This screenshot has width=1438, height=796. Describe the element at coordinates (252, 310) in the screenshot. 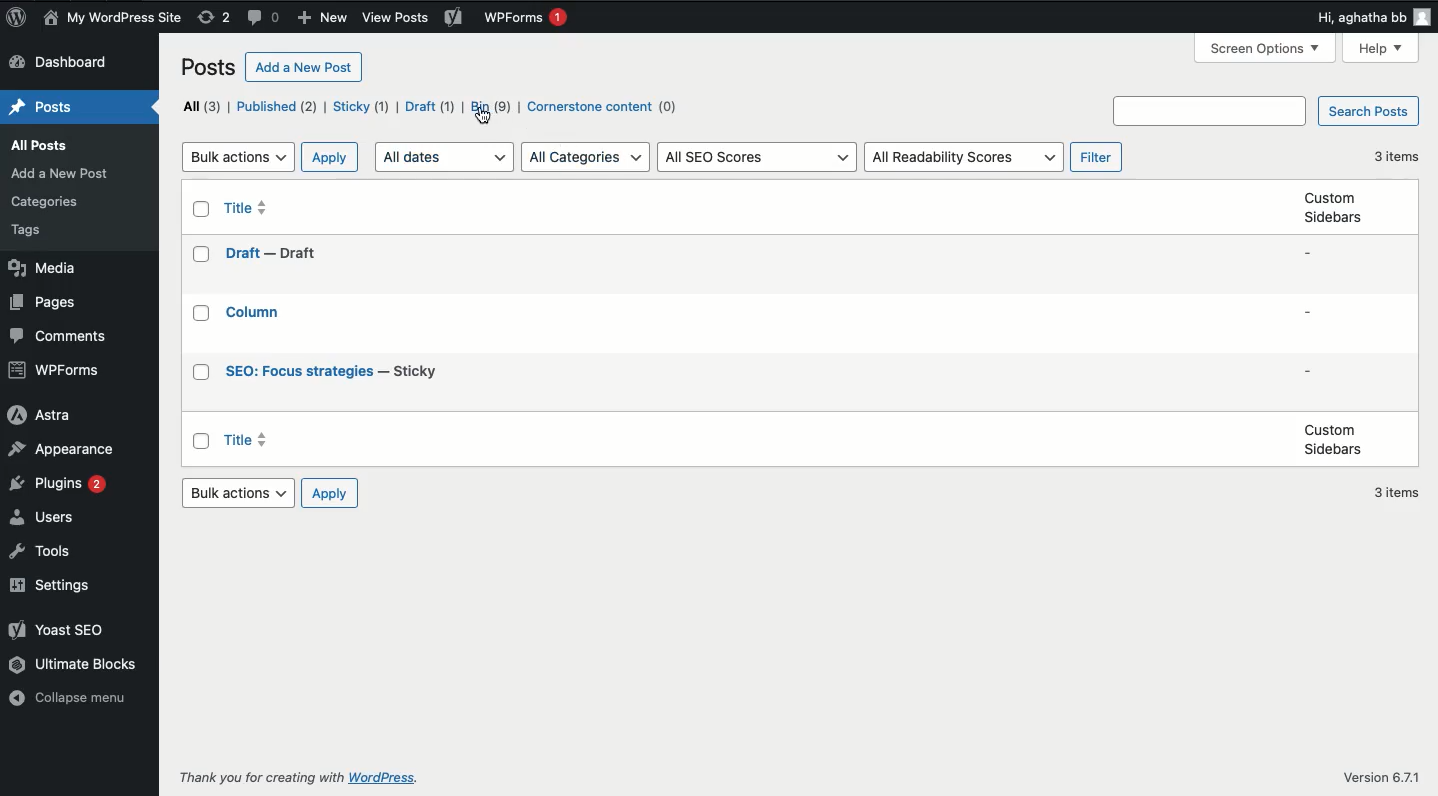

I see `Title` at that location.